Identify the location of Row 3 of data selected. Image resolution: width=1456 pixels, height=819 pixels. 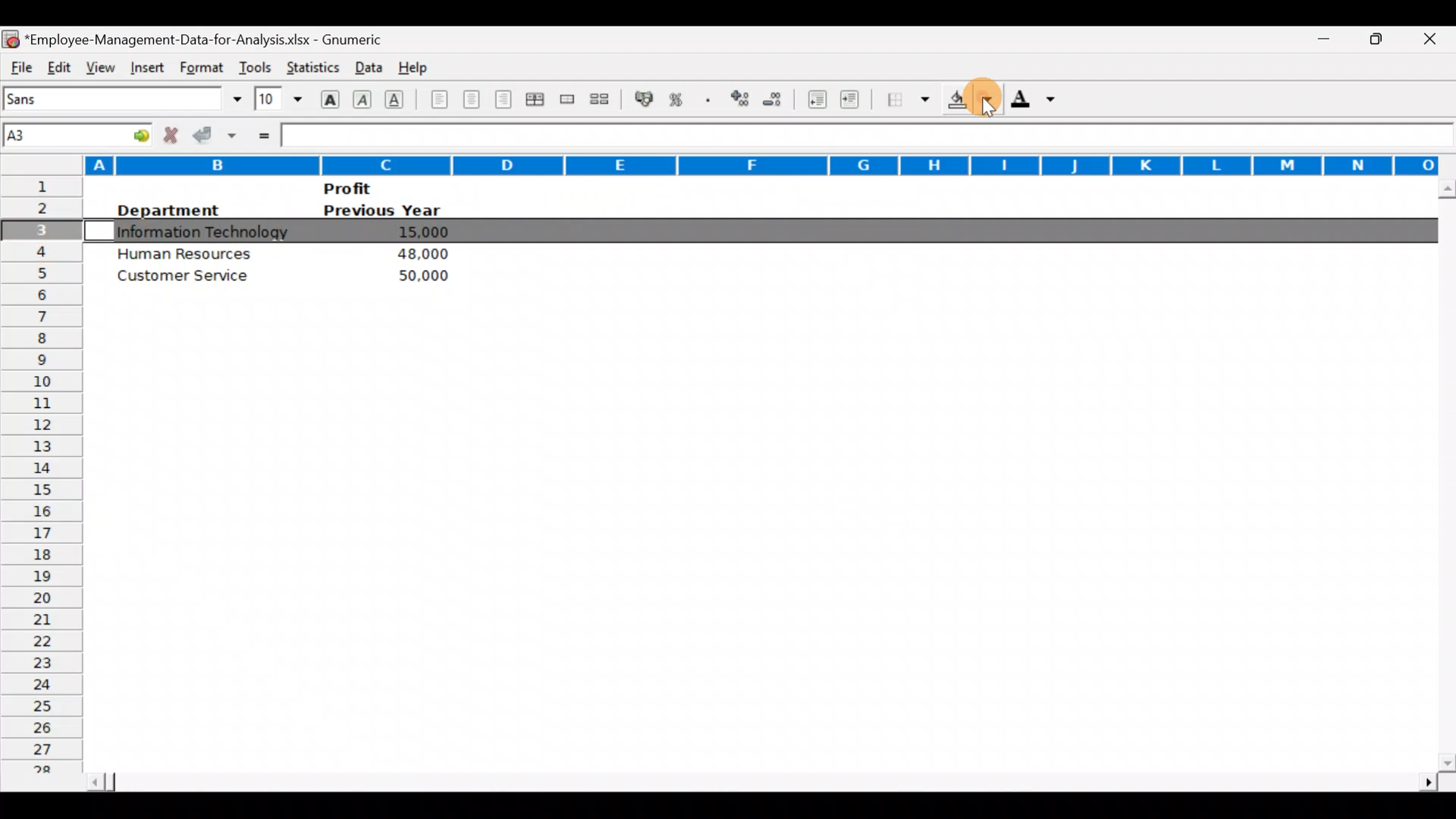
(750, 231).